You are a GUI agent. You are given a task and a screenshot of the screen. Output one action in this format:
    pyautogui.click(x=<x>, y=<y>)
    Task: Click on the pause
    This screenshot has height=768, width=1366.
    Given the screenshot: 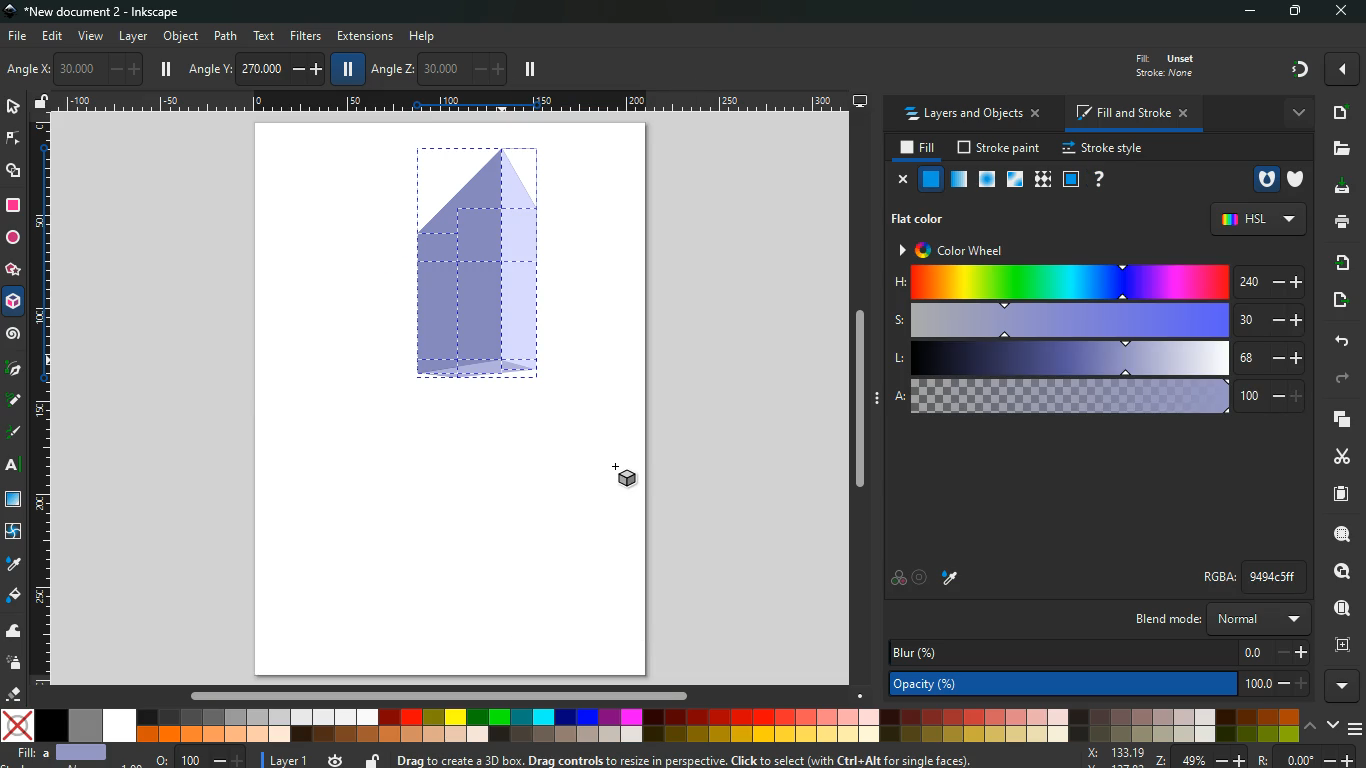 What is the action you would take?
    pyautogui.click(x=530, y=70)
    